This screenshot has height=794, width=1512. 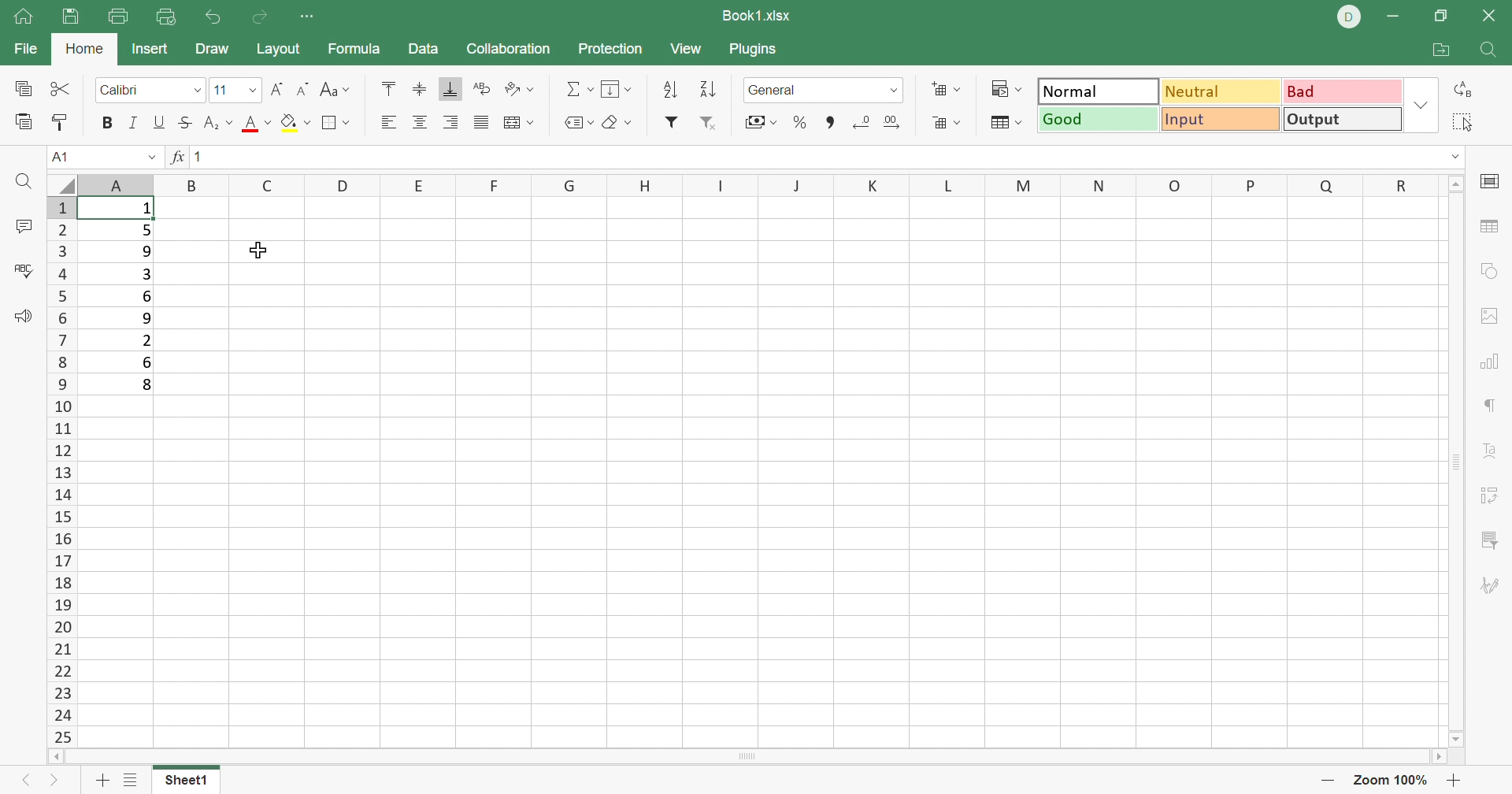 What do you see at coordinates (712, 126) in the screenshot?
I see `Remove filter` at bounding box center [712, 126].